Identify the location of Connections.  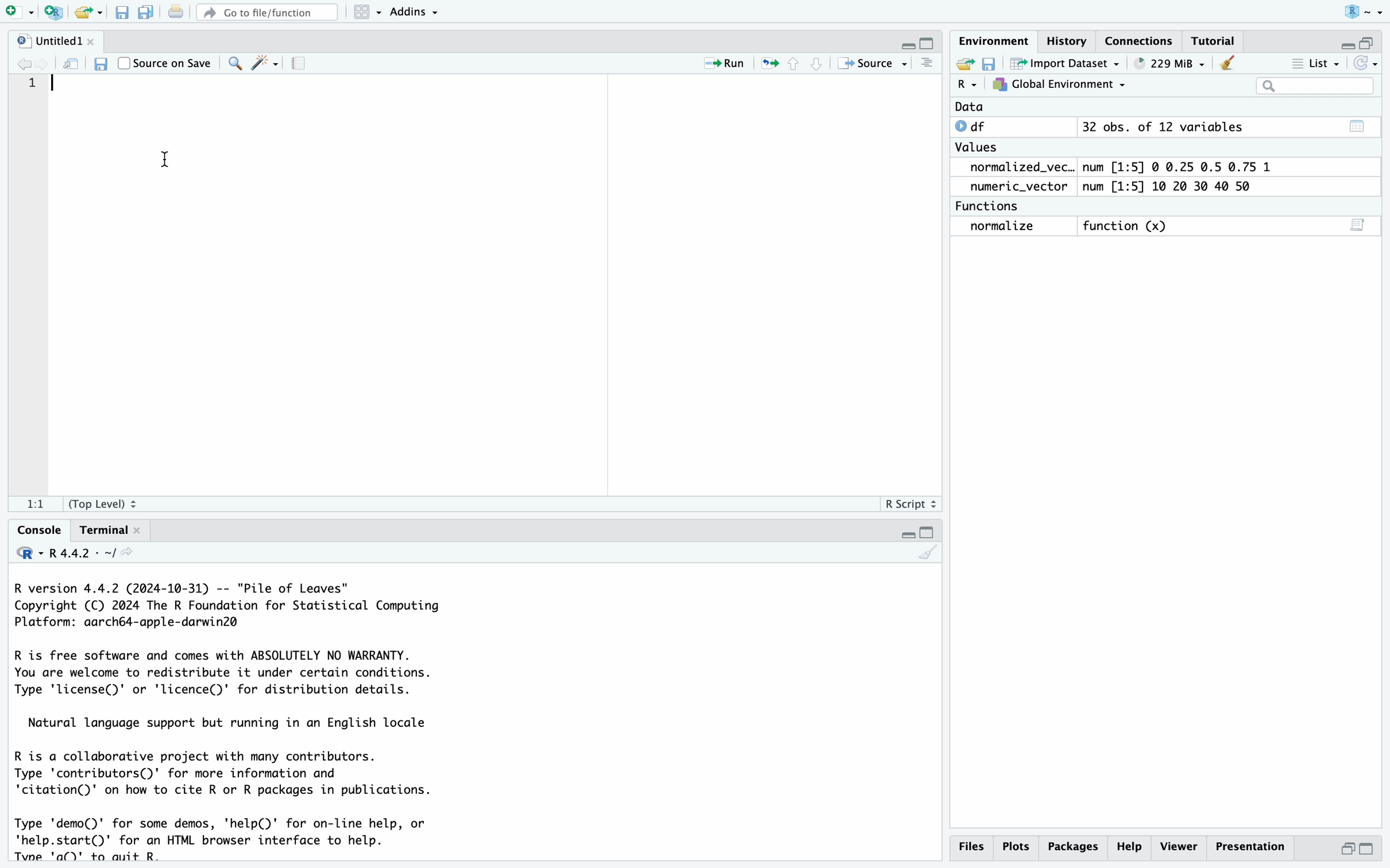
(1140, 43).